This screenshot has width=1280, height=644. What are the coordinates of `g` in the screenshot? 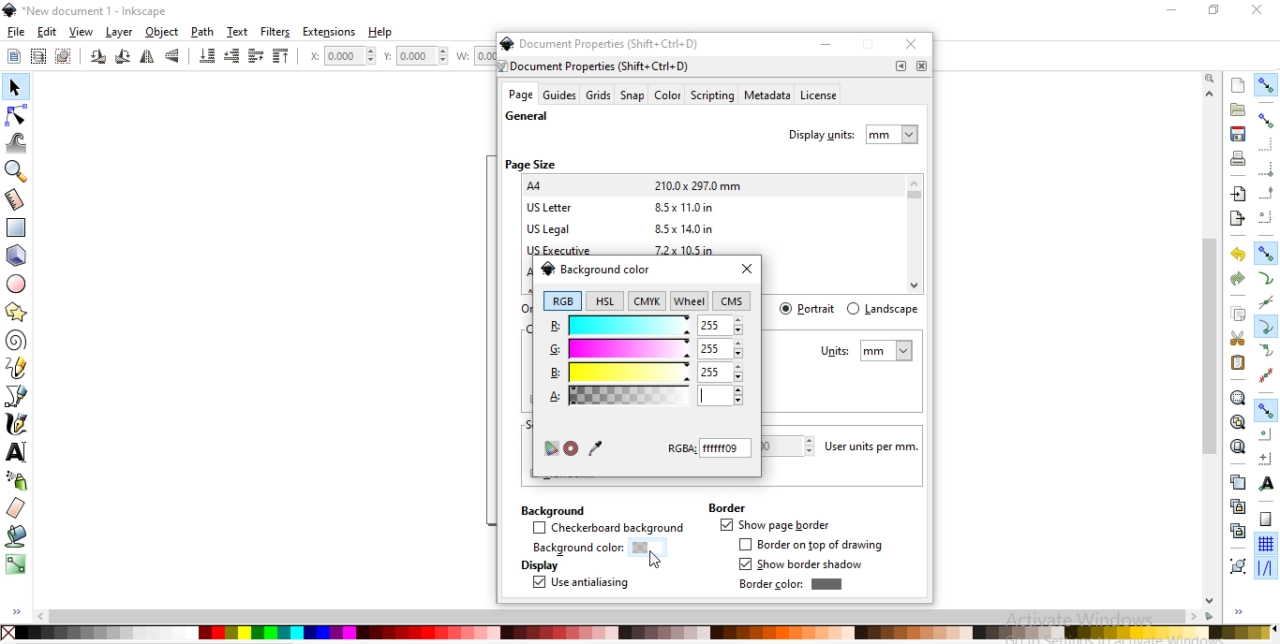 It's located at (646, 350).